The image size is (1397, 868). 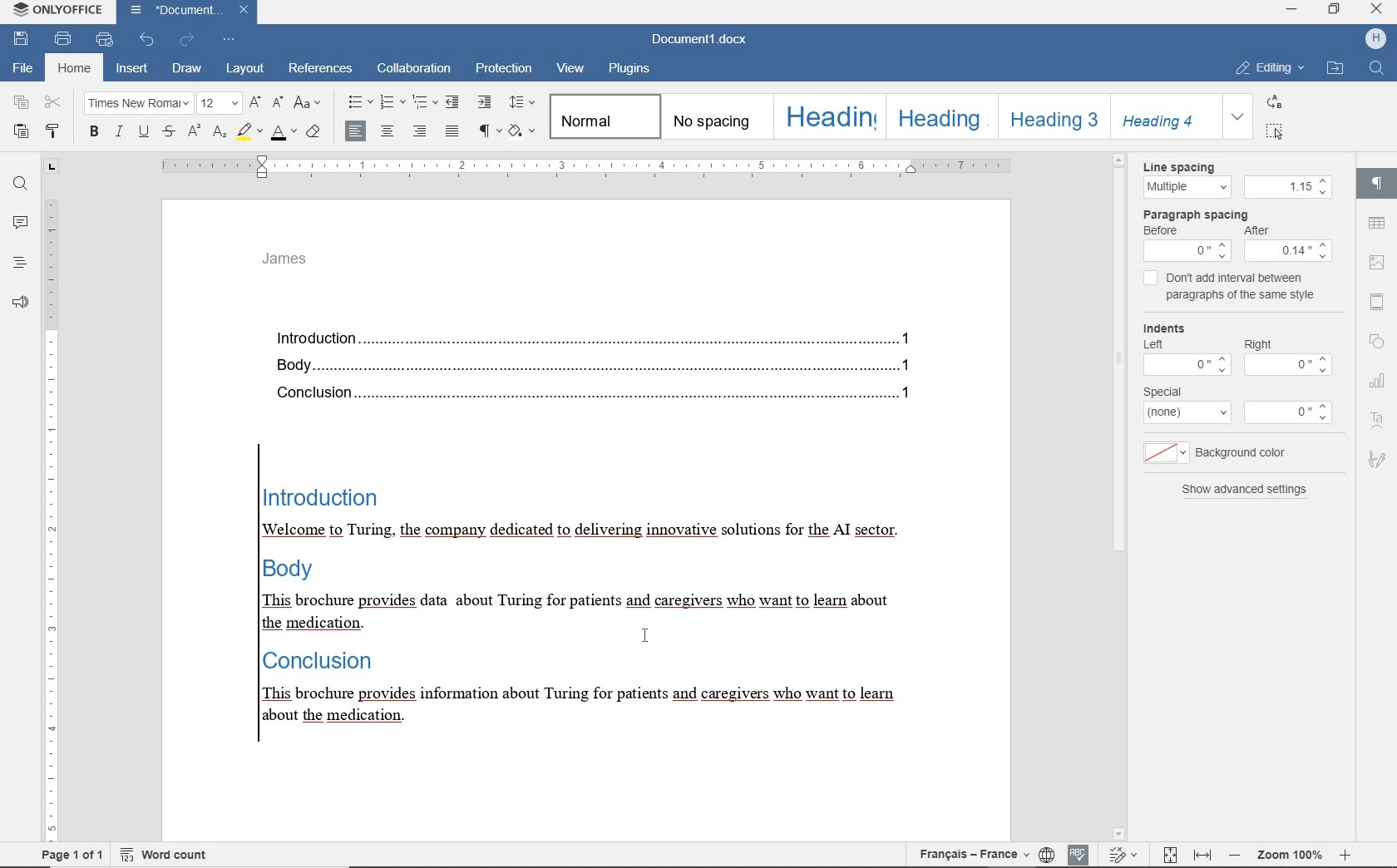 What do you see at coordinates (644, 634) in the screenshot?
I see `cursor` at bounding box center [644, 634].